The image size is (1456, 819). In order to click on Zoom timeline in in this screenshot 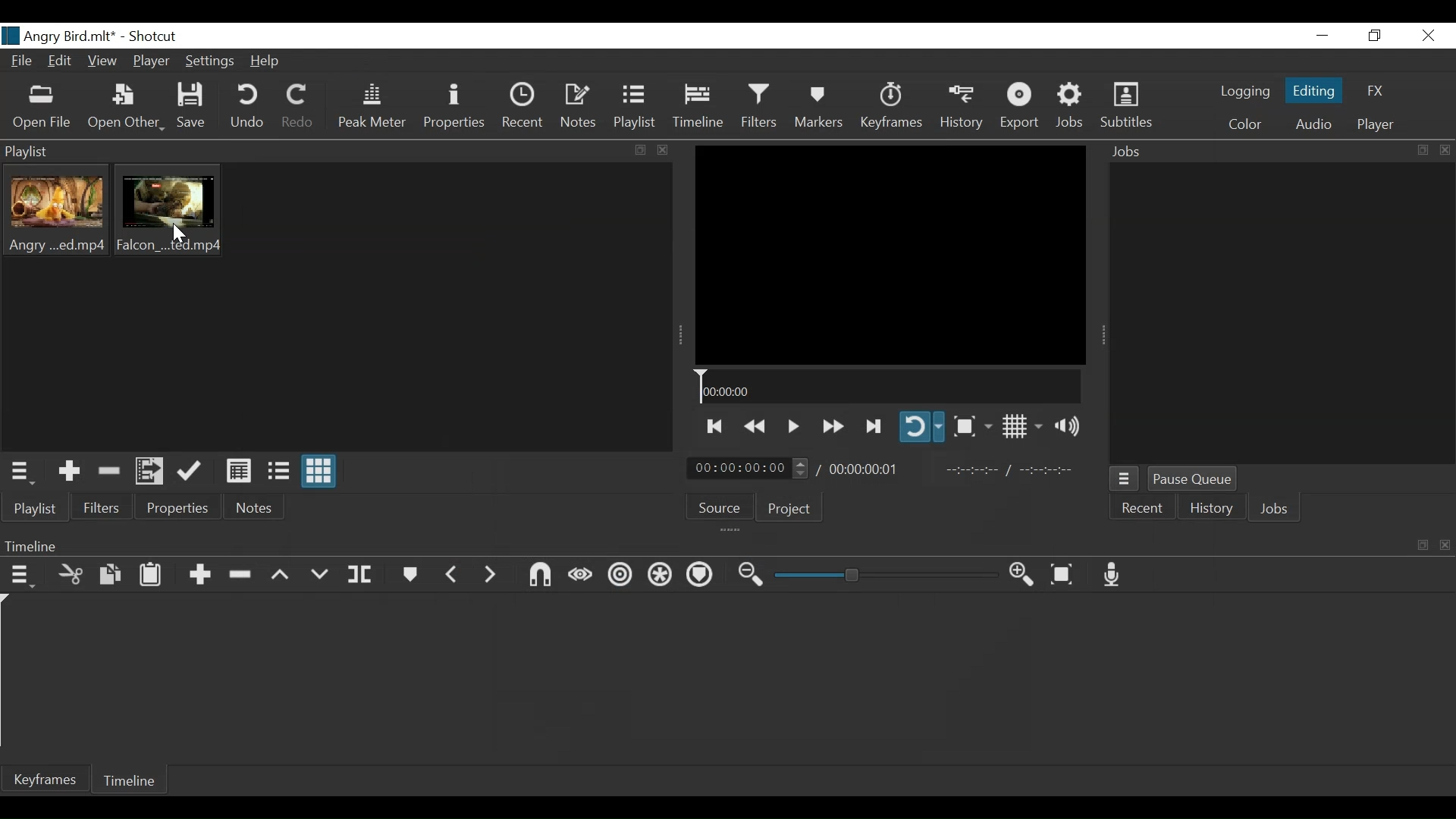, I will do `click(1023, 576)`.